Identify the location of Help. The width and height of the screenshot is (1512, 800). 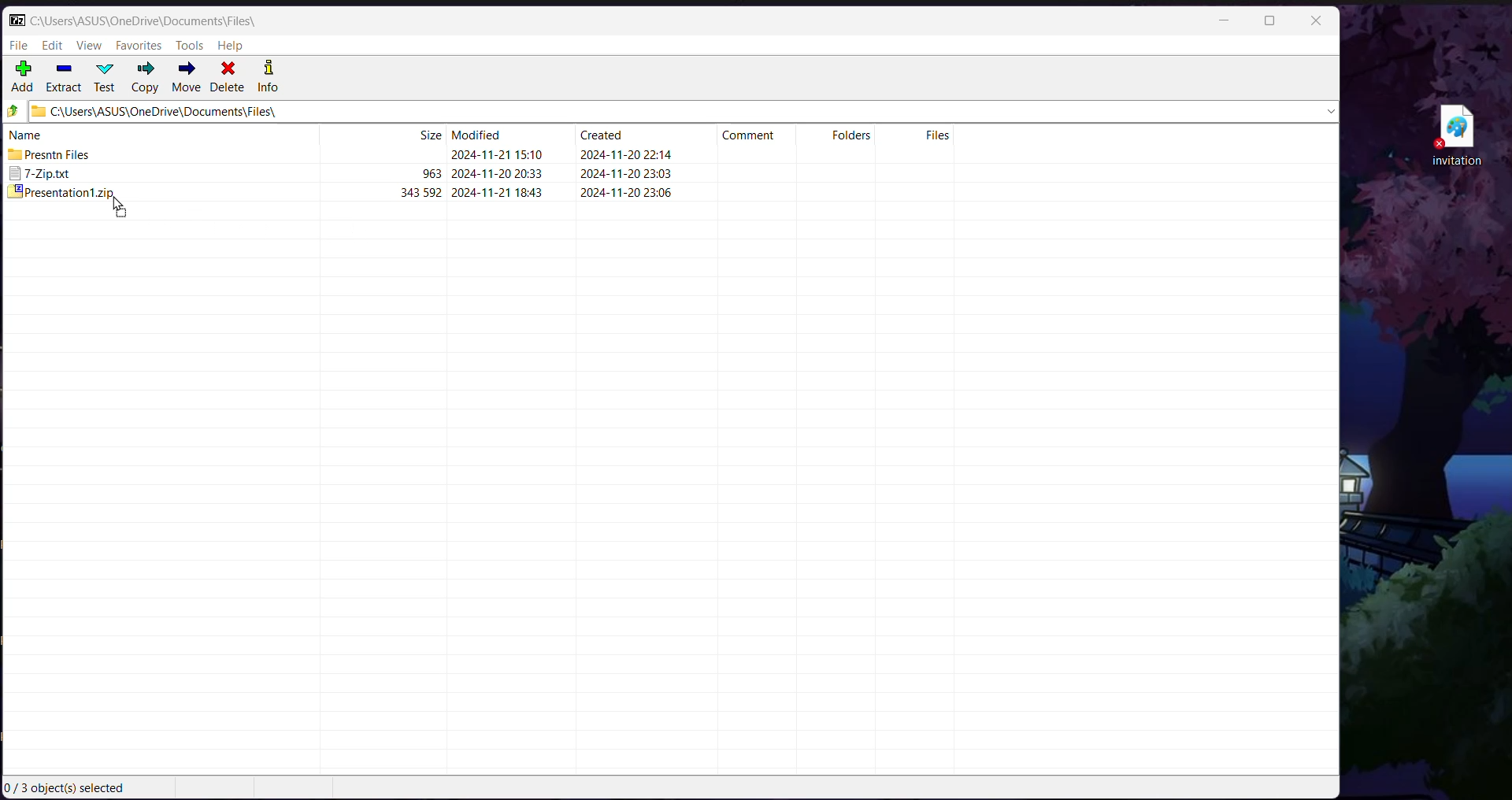
(232, 46).